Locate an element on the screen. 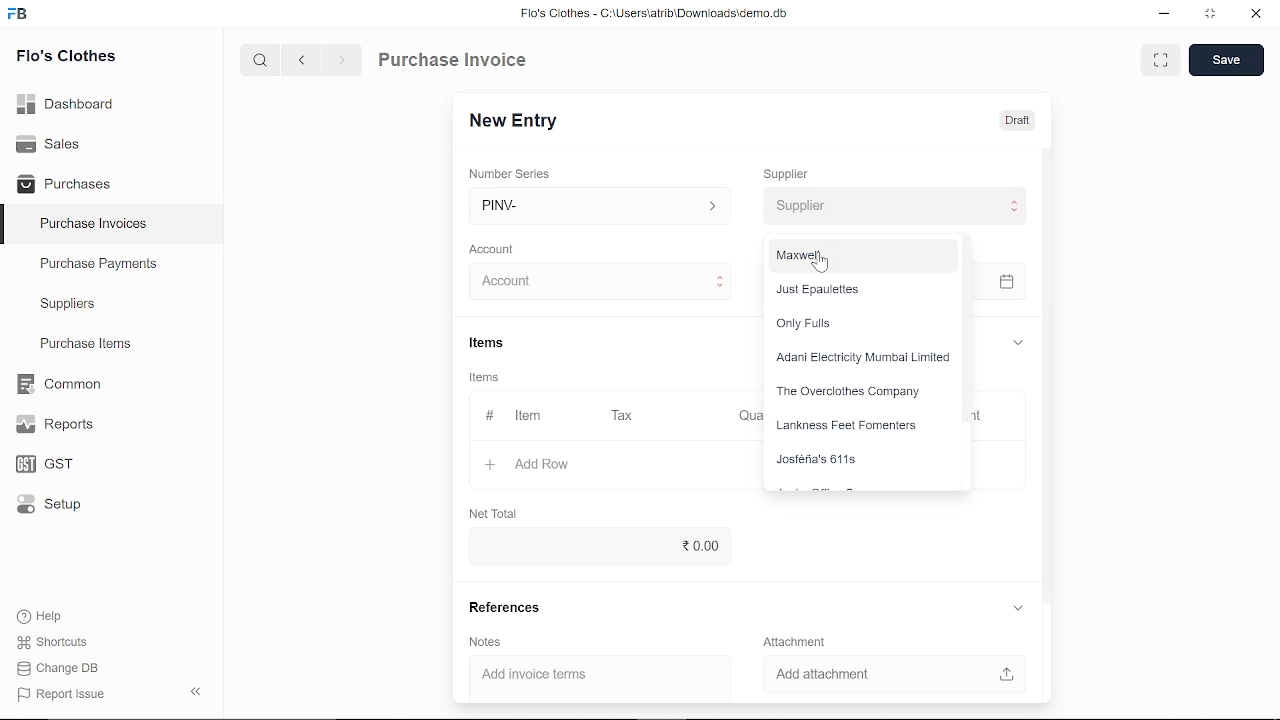  Purchase Payments is located at coordinates (112, 268).